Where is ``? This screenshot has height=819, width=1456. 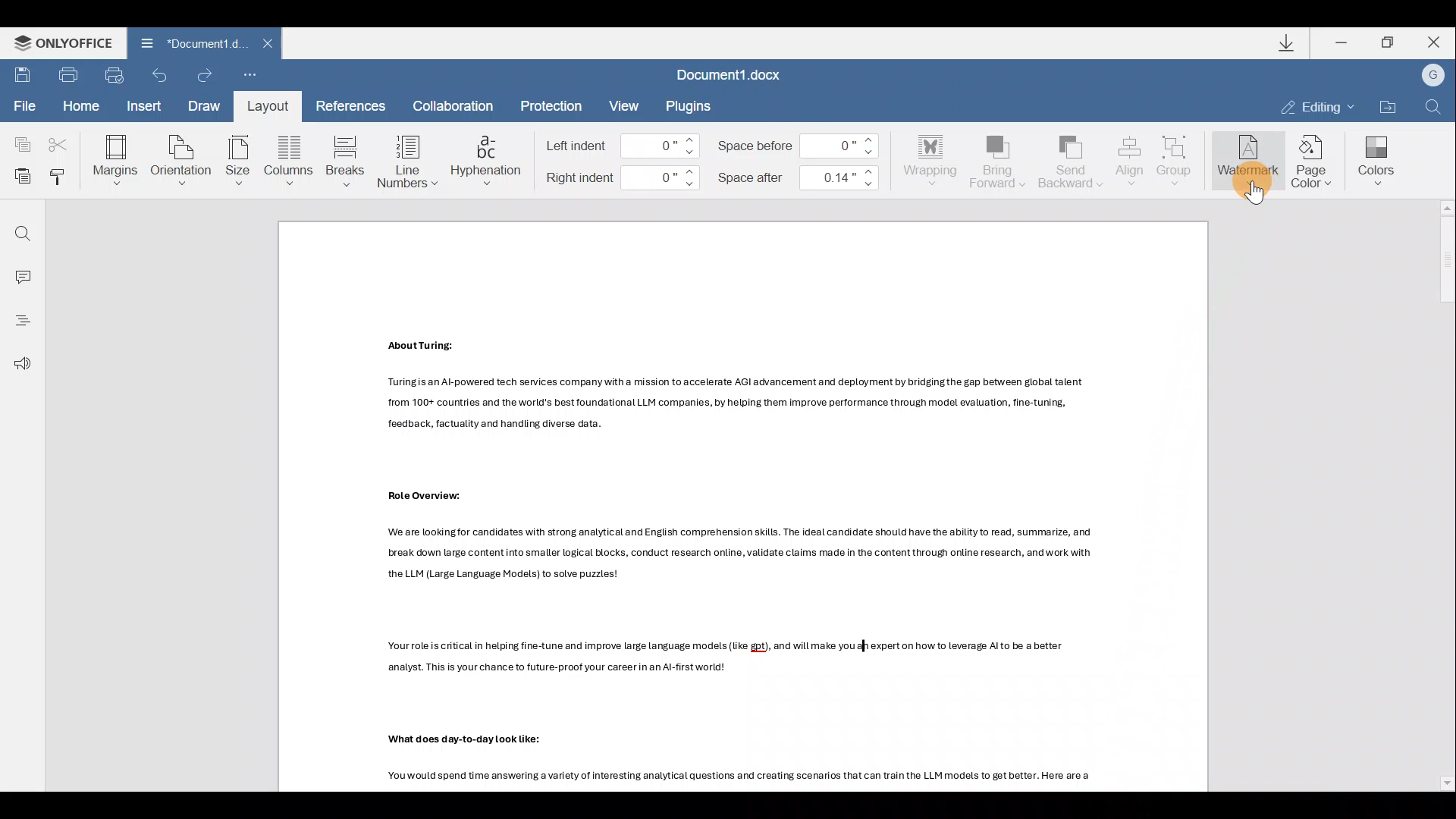  is located at coordinates (723, 654).